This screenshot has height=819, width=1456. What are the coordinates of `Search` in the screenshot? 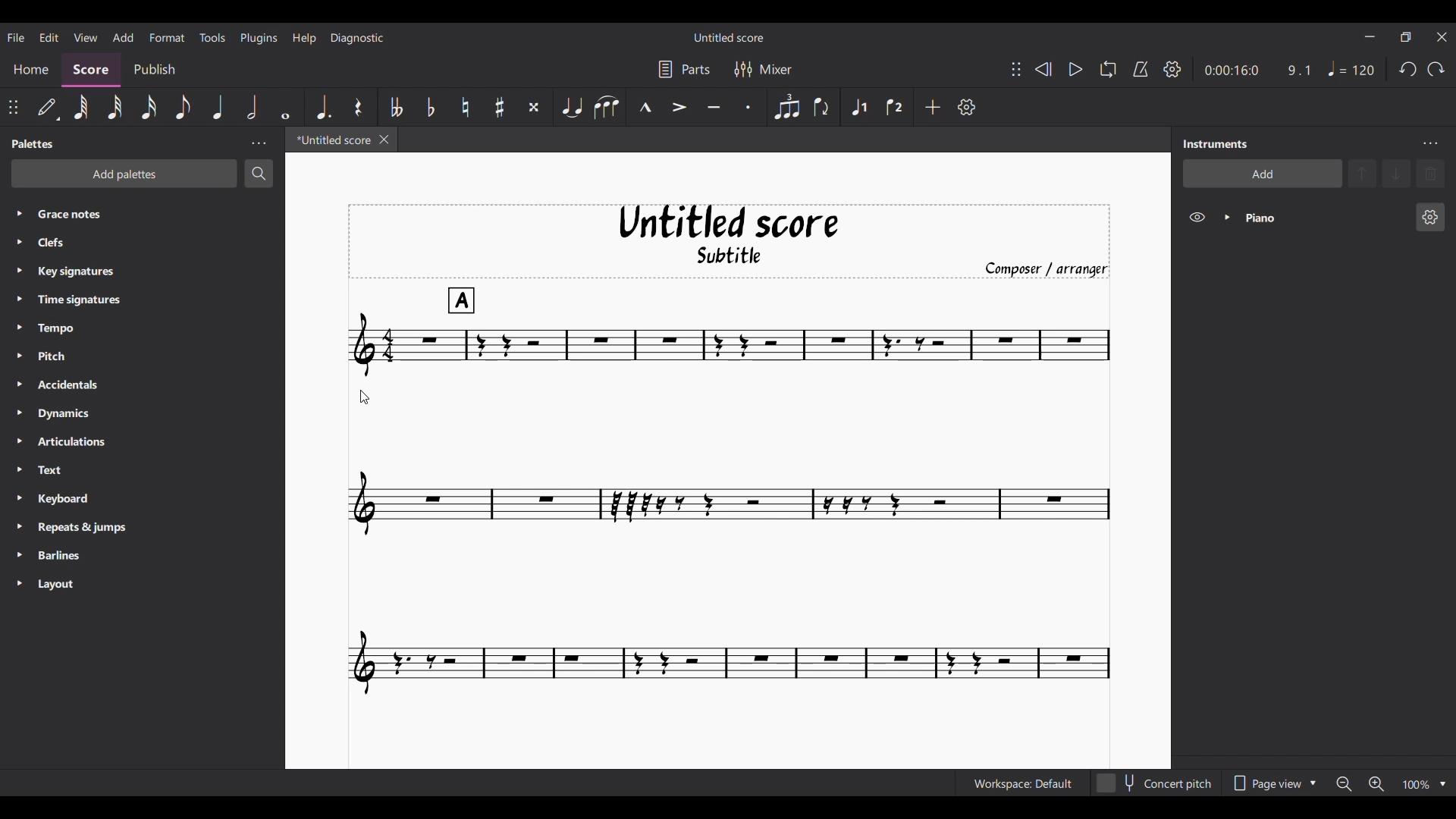 It's located at (259, 173).